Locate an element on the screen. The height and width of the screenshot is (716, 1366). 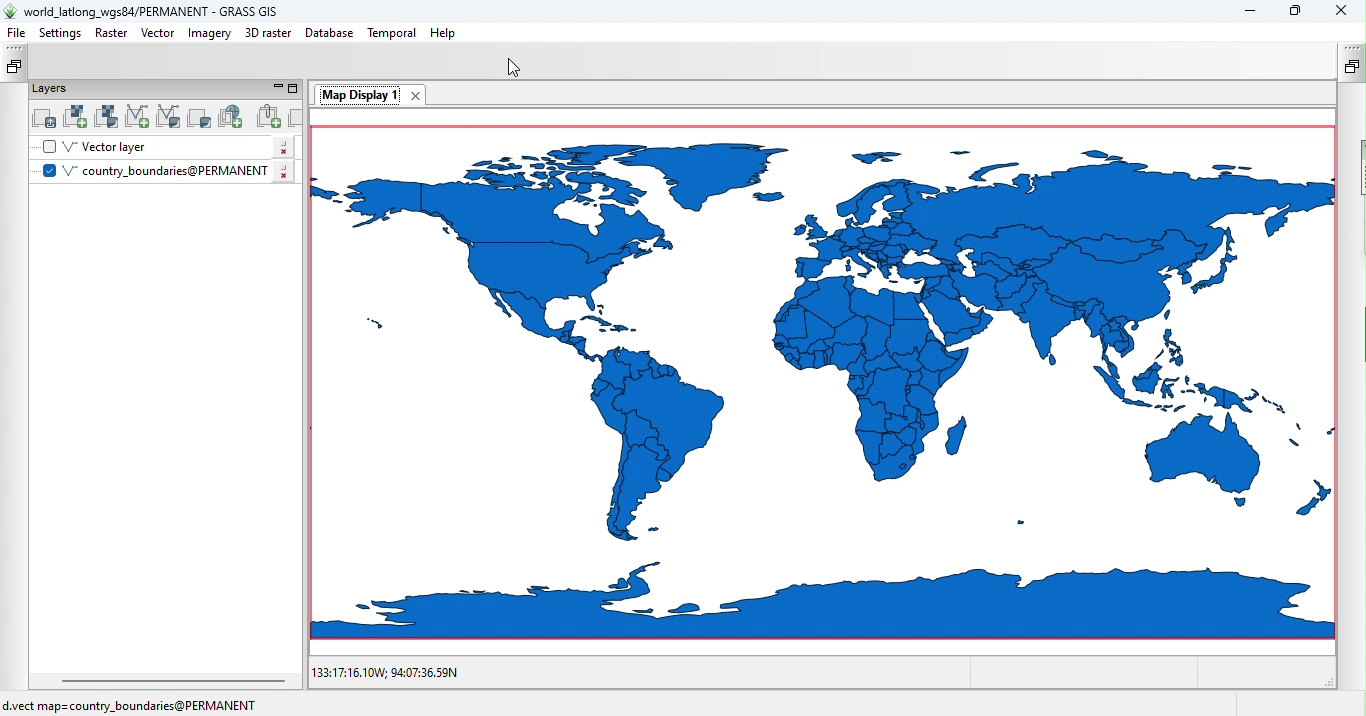
Vector is located at coordinates (156, 34).